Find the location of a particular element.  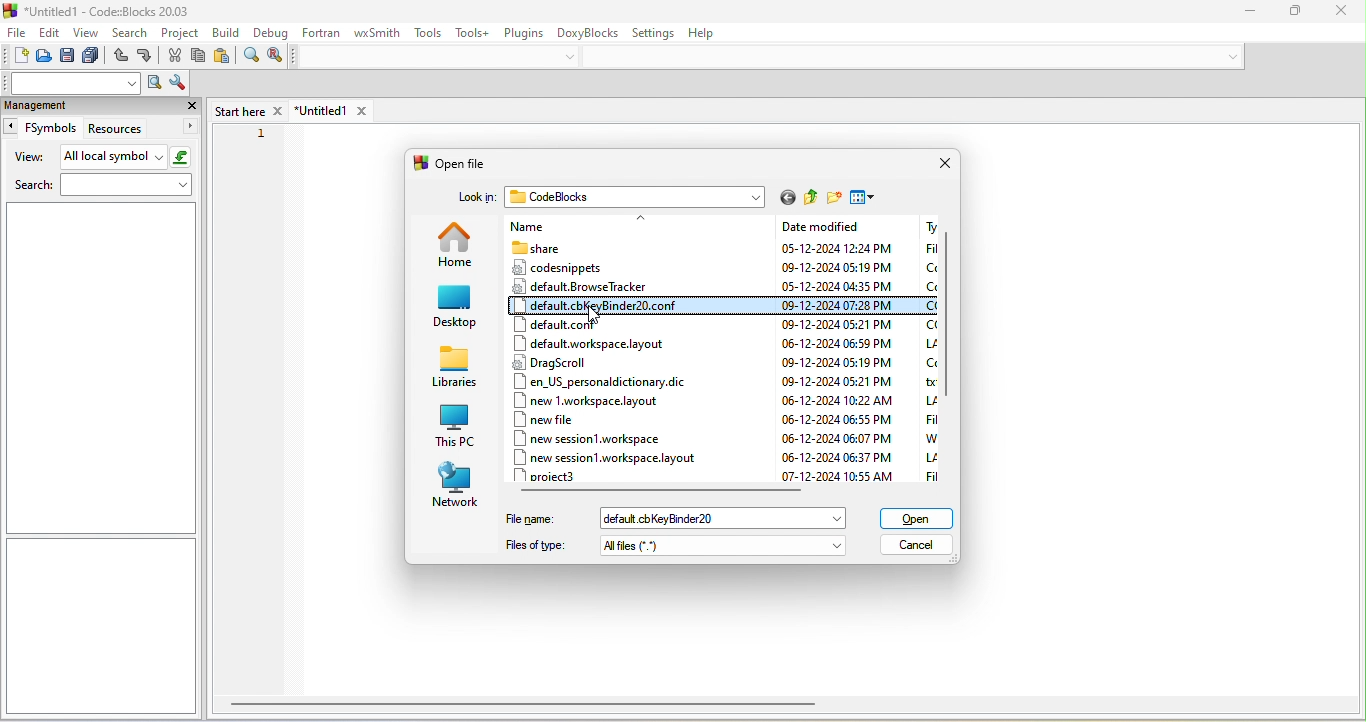

look in is located at coordinates (473, 201).